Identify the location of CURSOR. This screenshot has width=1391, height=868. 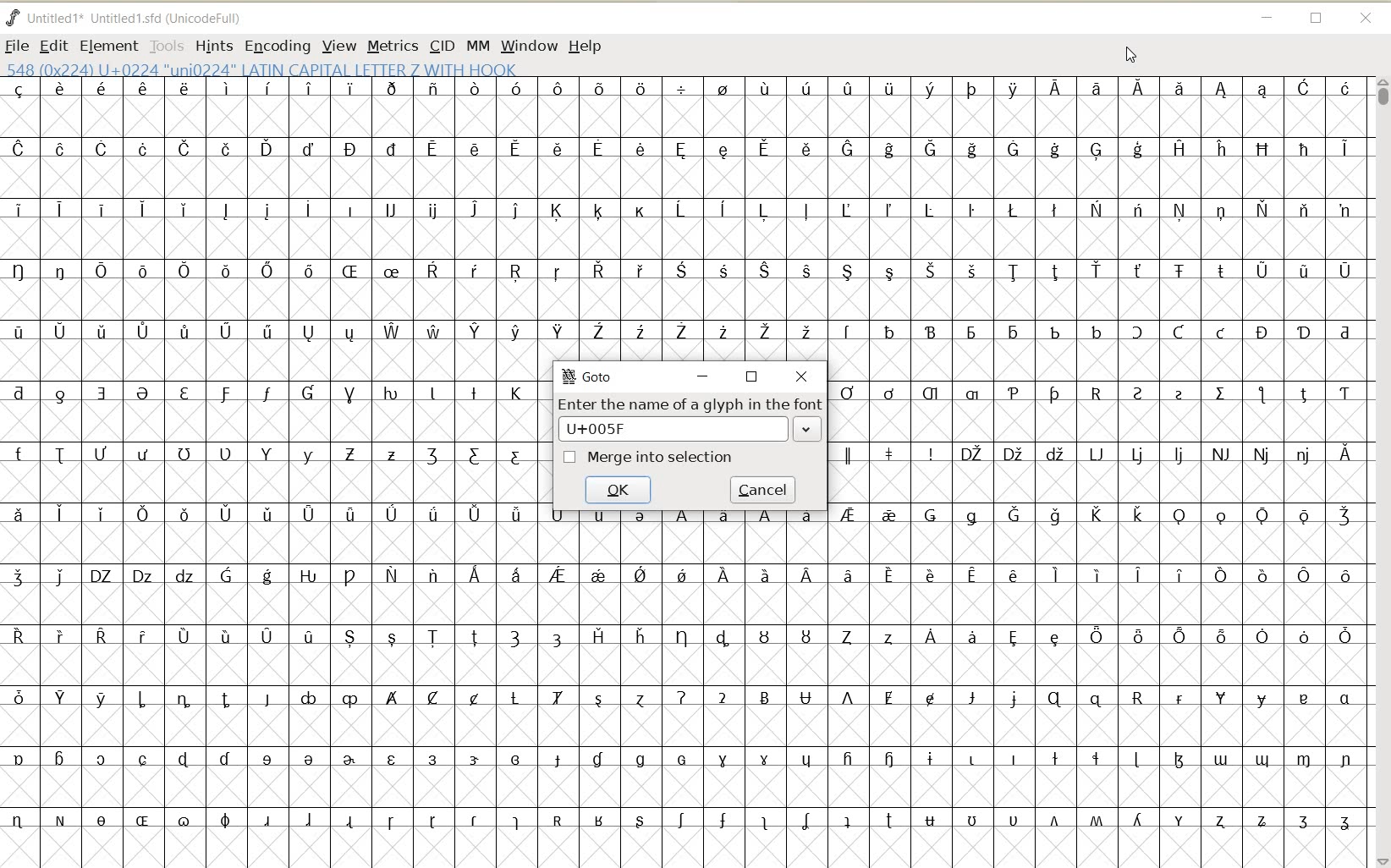
(1129, 53).